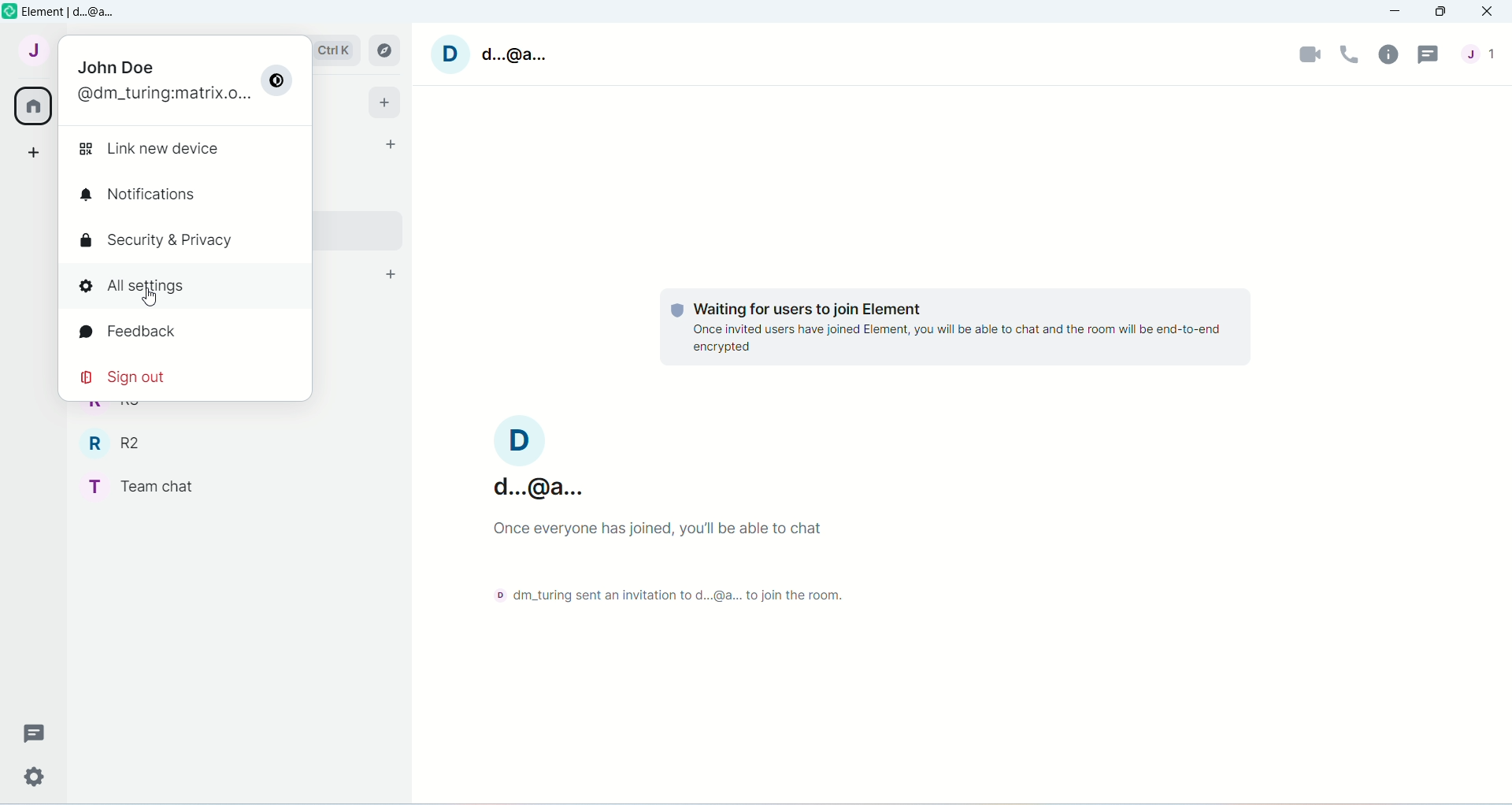 This screenshot has width=1512, height=805. I want to click on Threads, so click(1430, 57).